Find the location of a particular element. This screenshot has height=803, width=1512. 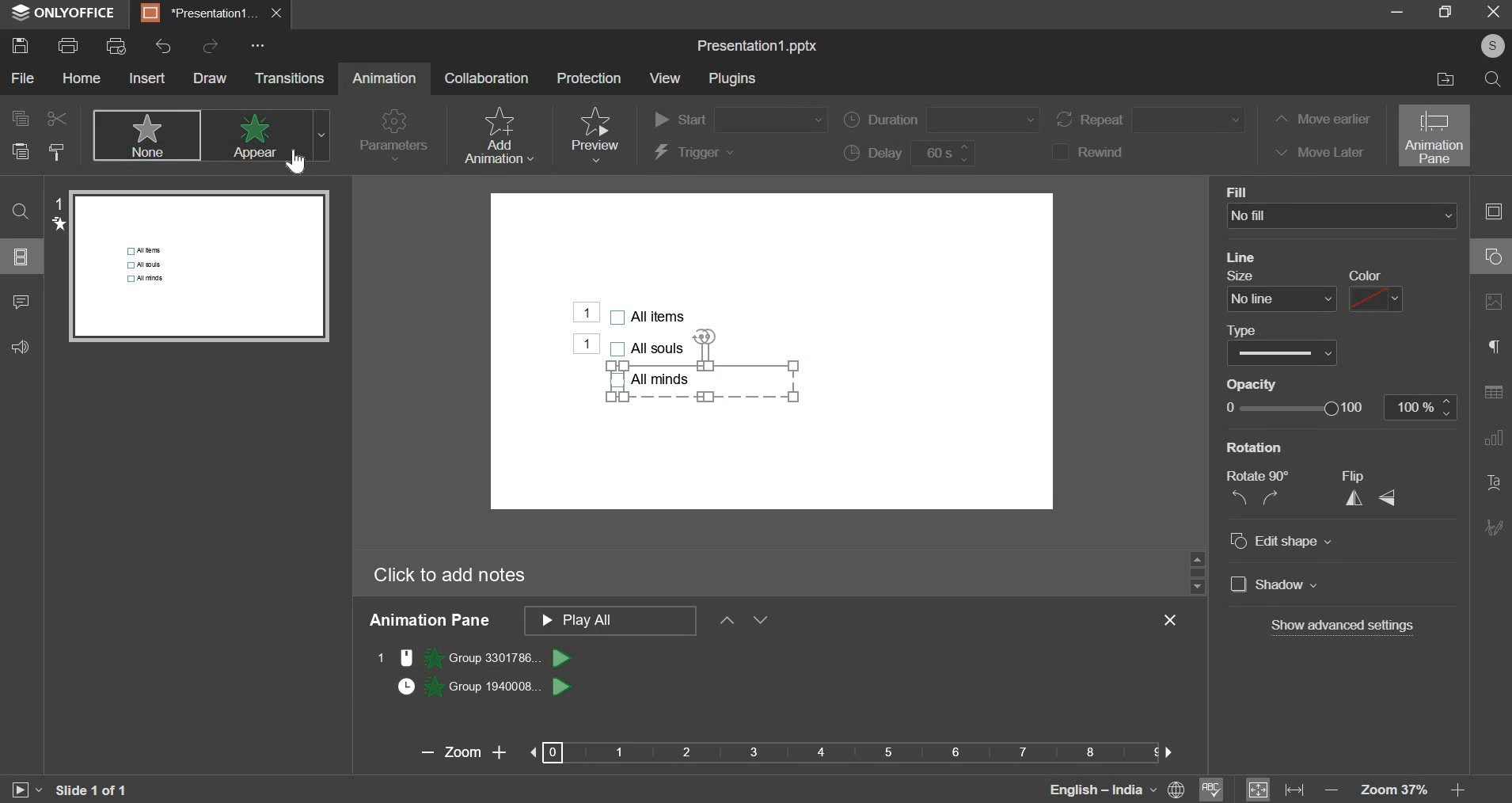

find is located at coordinates (21, 211).